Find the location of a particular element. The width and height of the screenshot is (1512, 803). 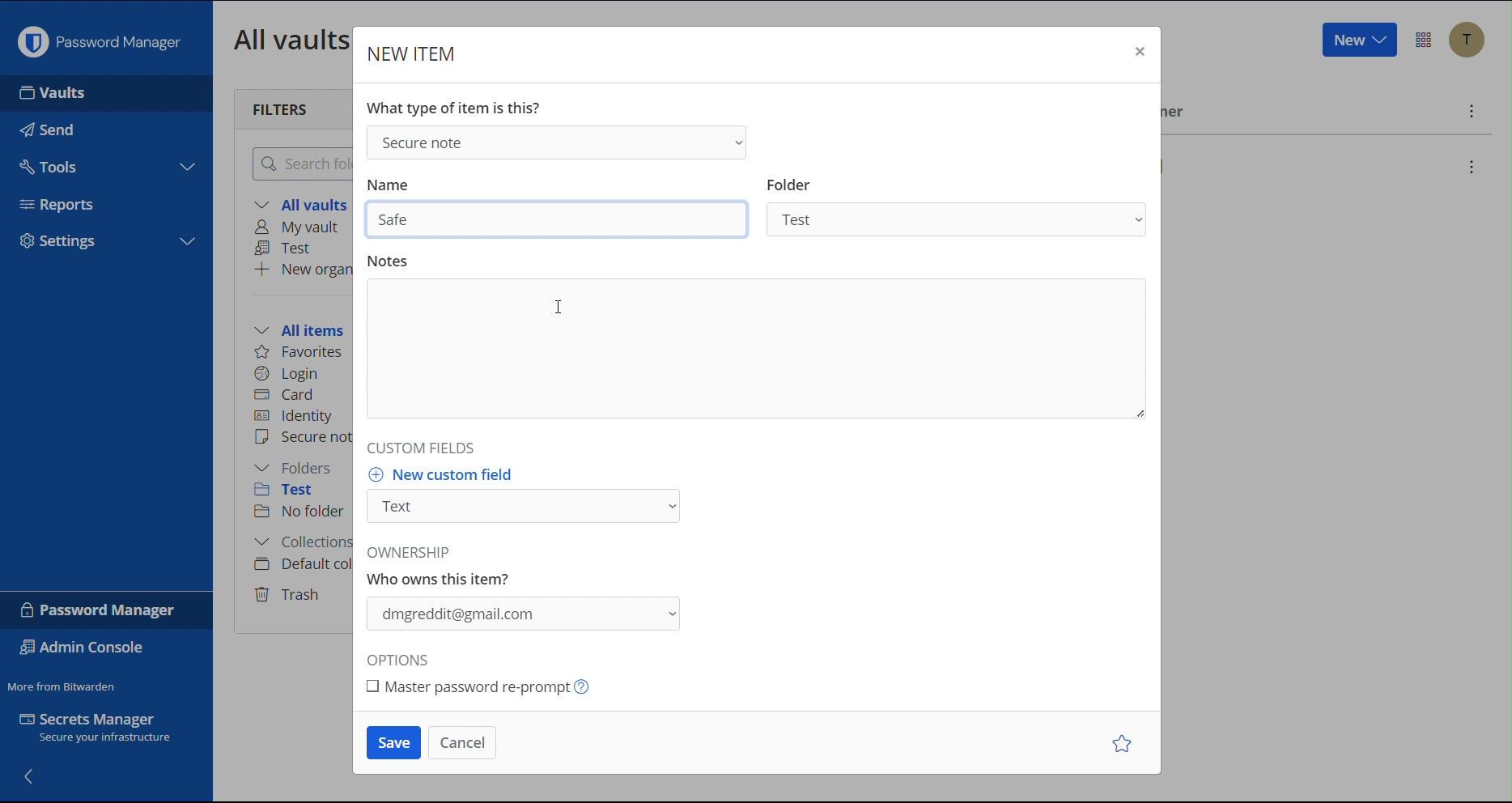

Secure is located at coordinates (302, 439).